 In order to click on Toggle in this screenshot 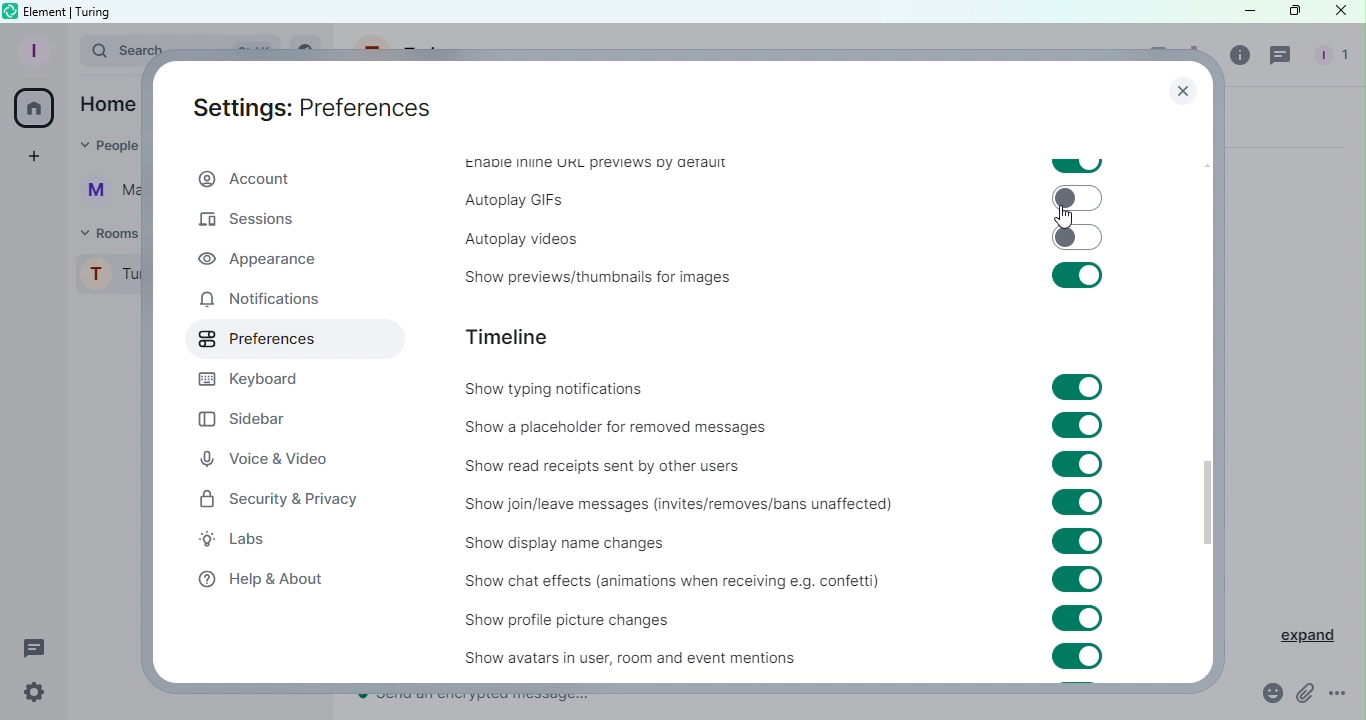, I will do `click(1079, 580)`.